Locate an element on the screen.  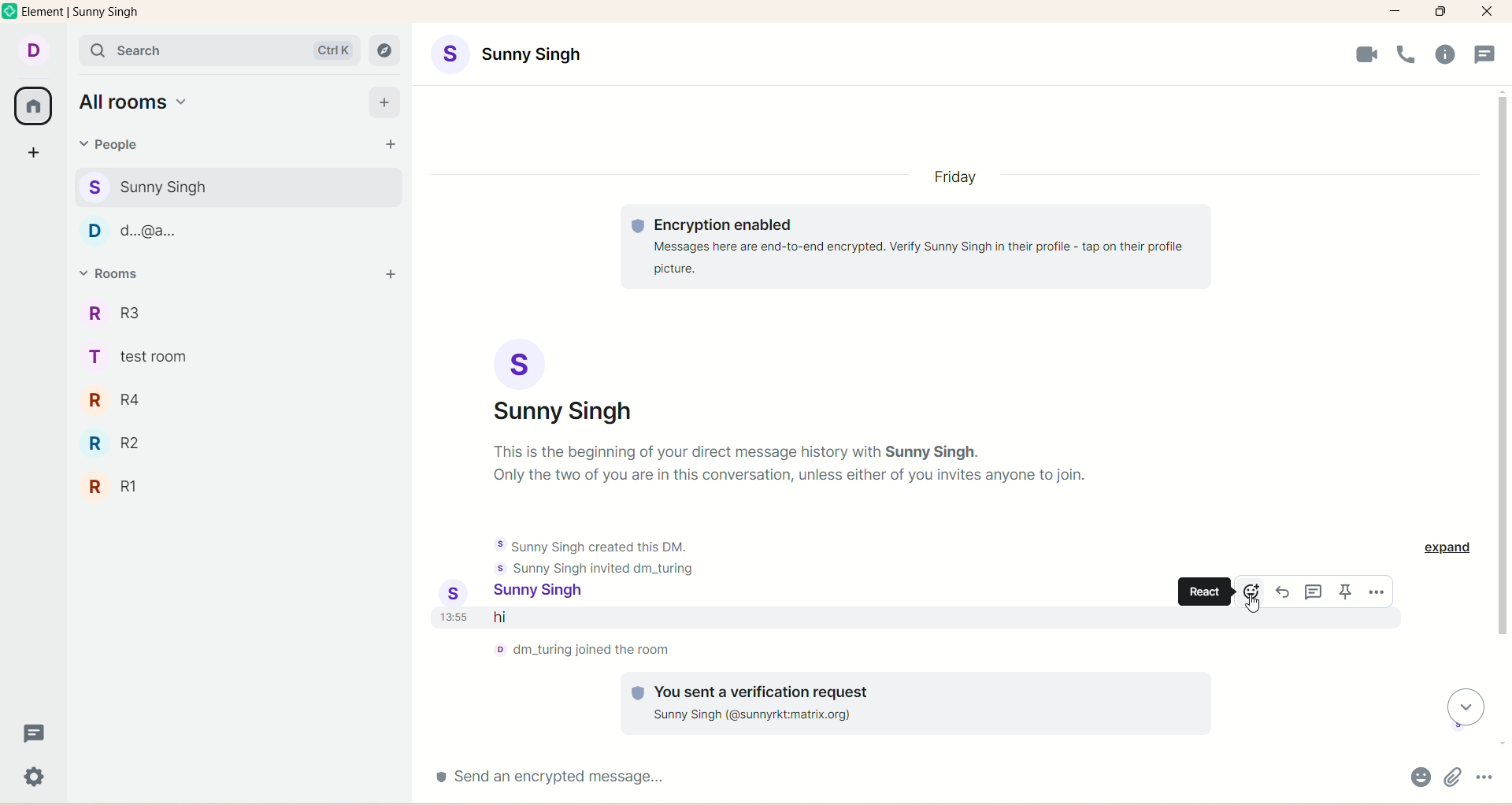
explore rooms is located at coordinates (384, 50).